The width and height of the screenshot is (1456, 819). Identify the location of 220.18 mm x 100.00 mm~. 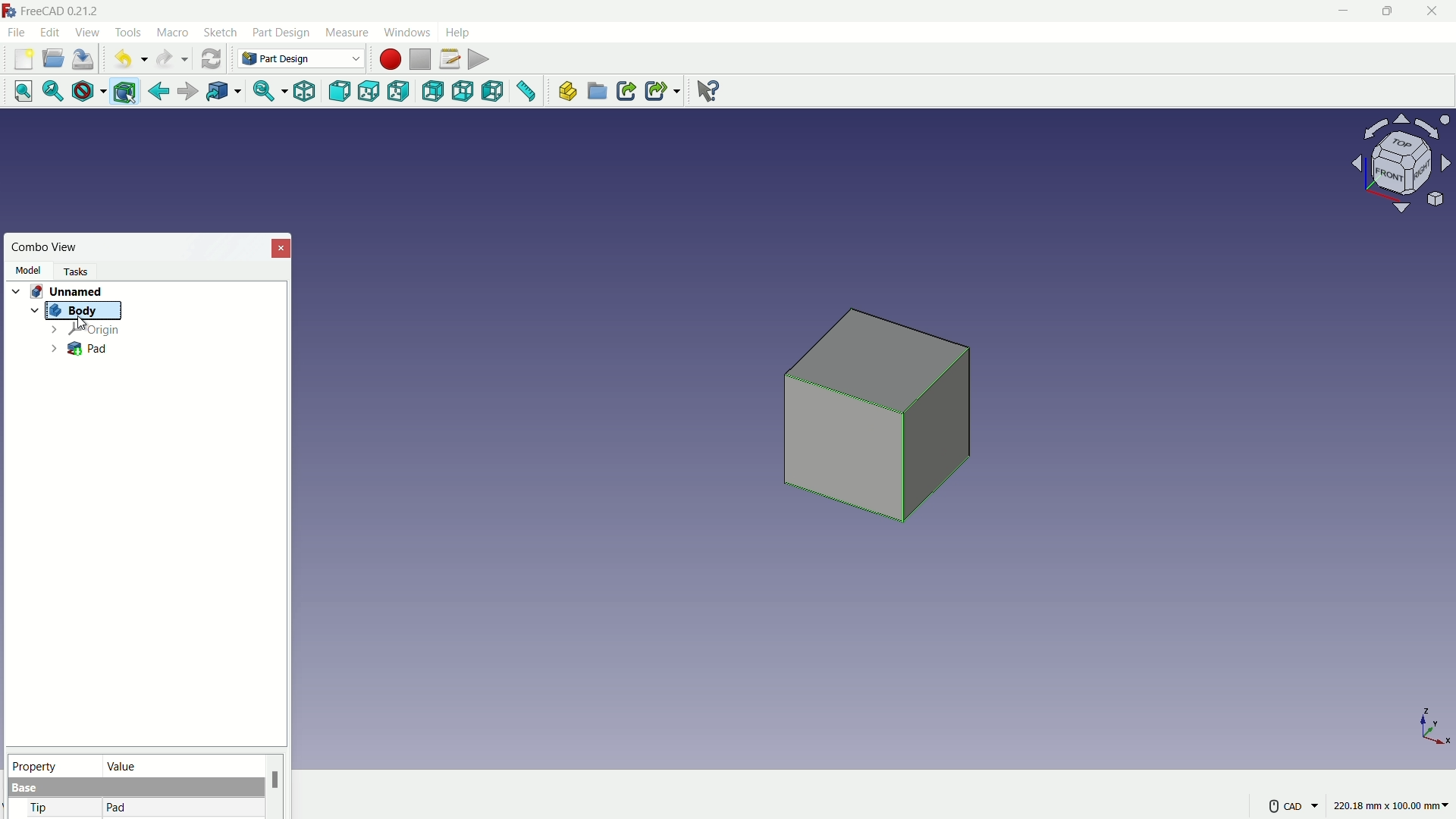
(1391, 805).